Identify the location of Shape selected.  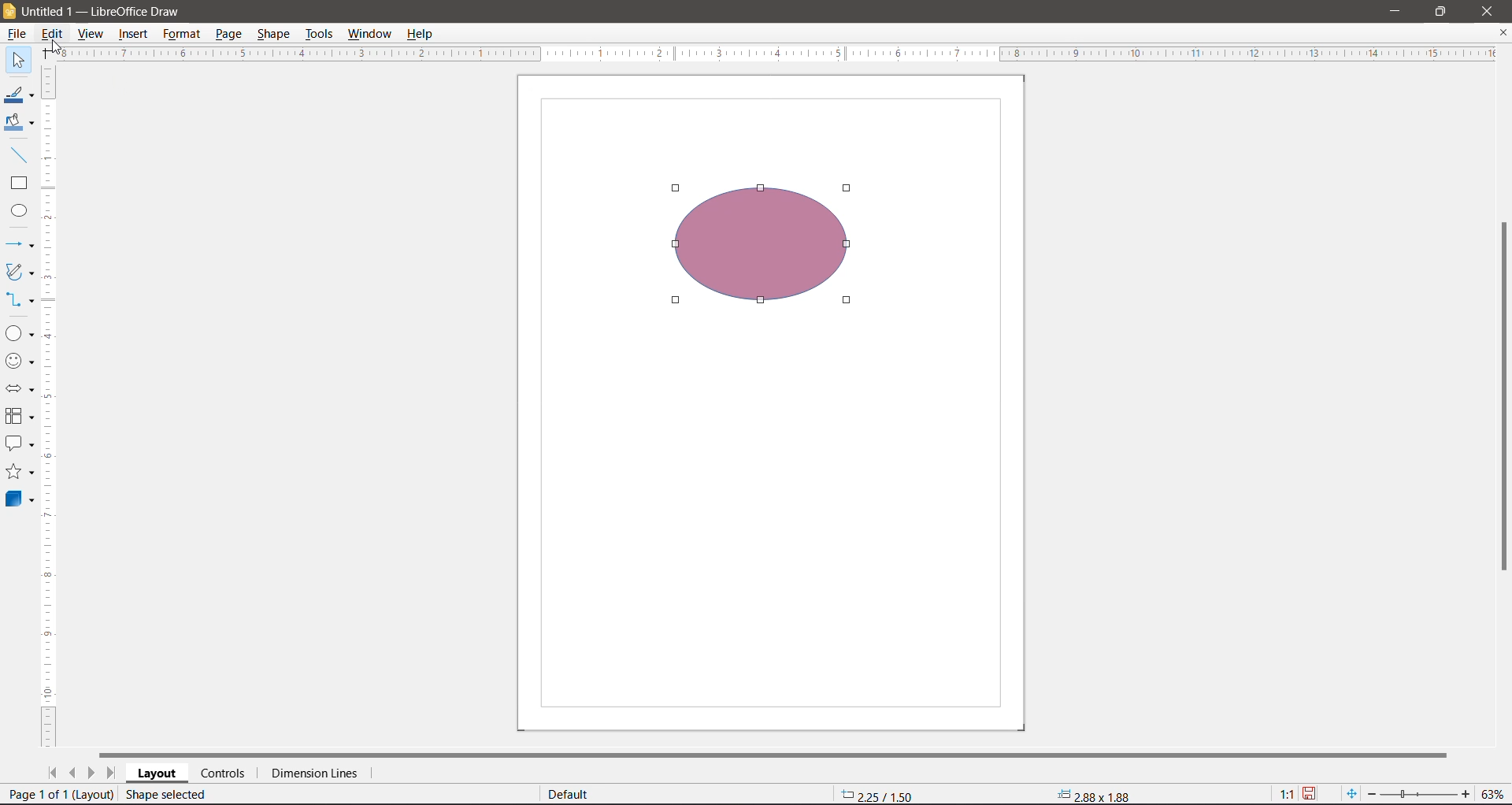
(169, 795).